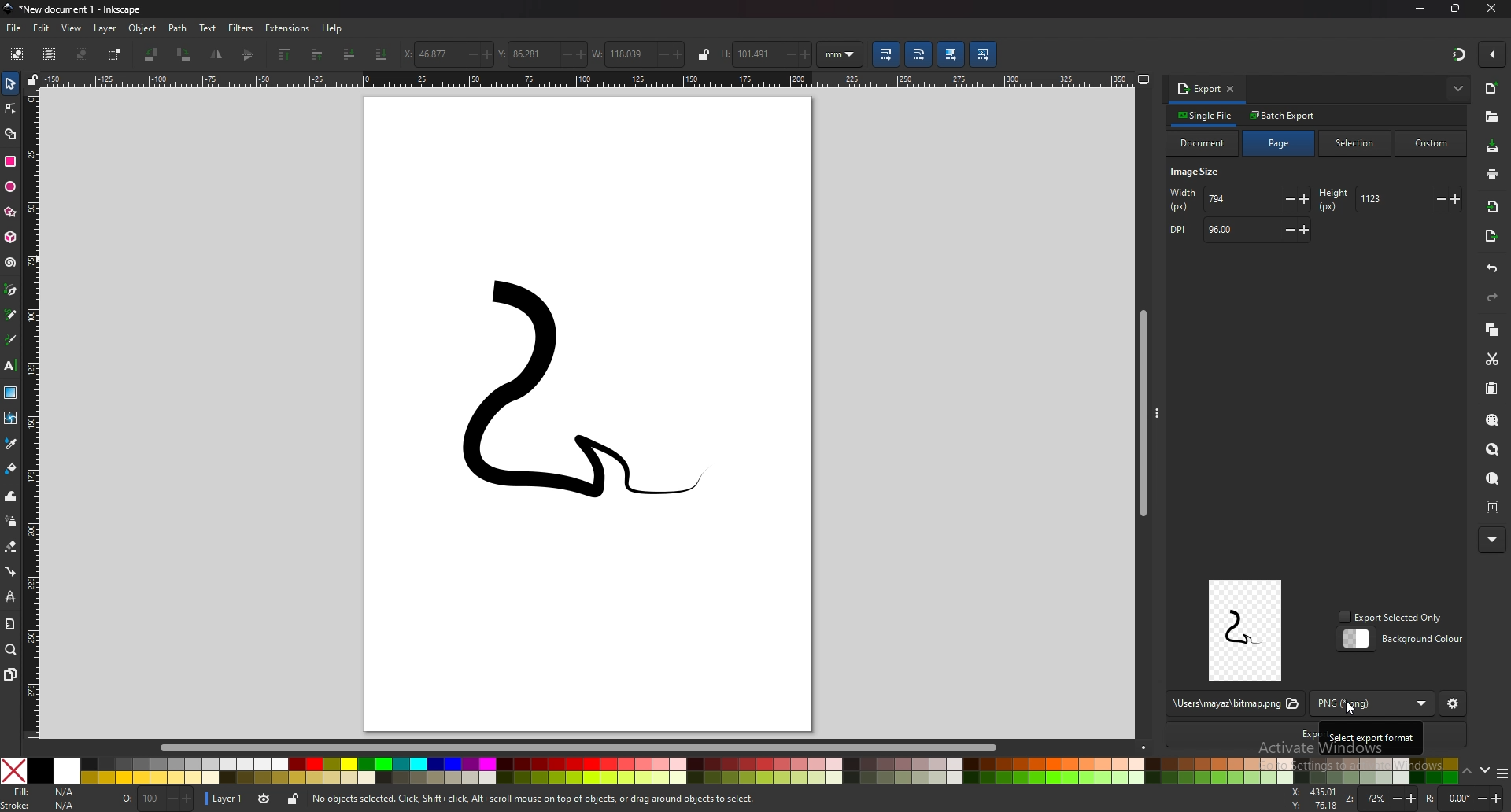 This screenshot has height=812, width=1511. Describe the element at coordinates (11, 443) in the screenshot. I see `dropper` at that location.